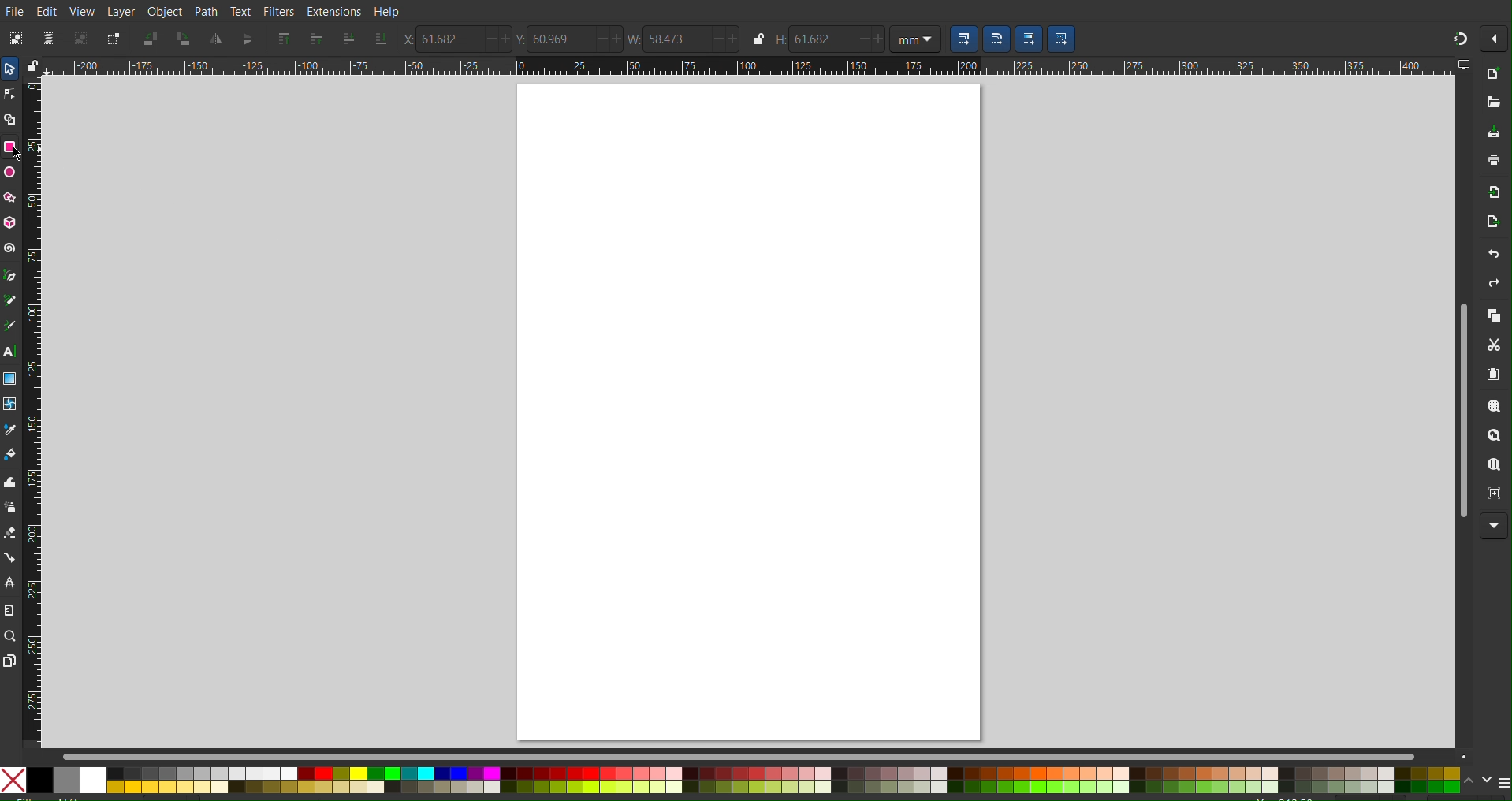  Describe the element at coordinates (9, 557) in the screenshot. I see `Connection` at that location.